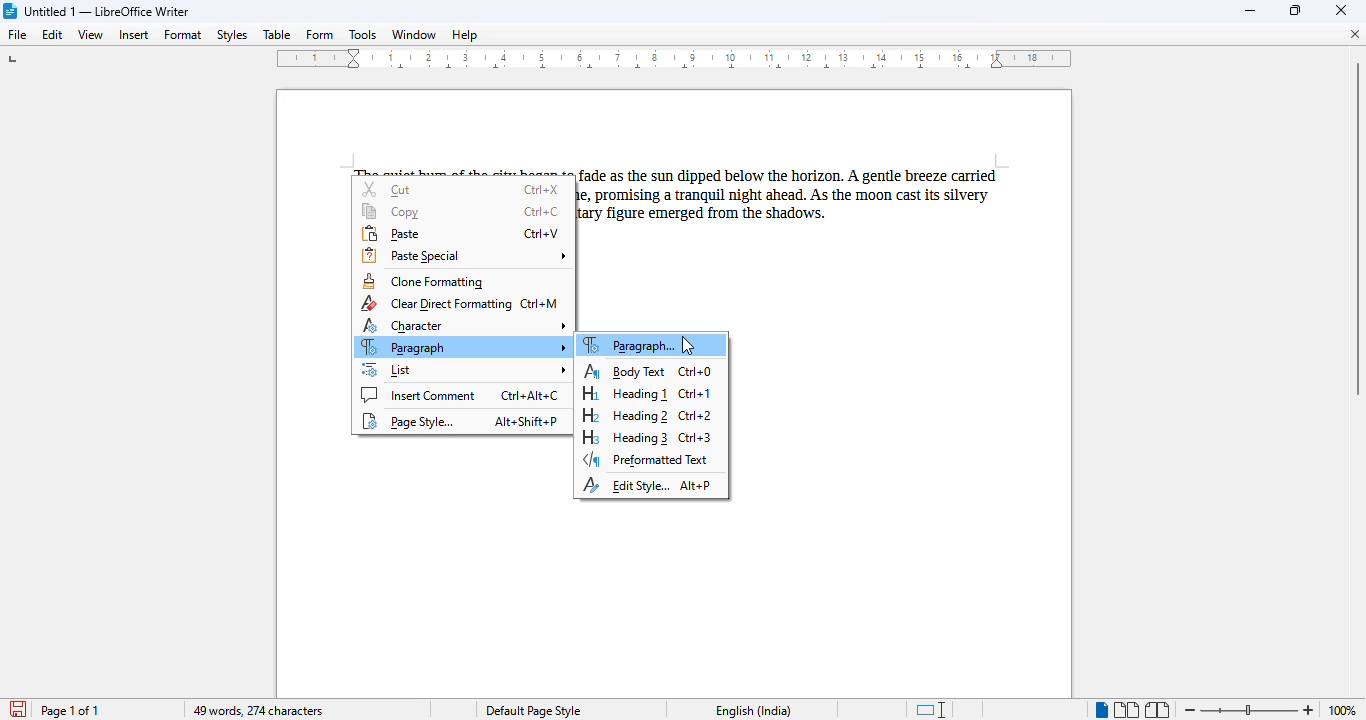 This screenshot has height=720, width=1366. Describe the element at coordinates (1297, 10) in the screenshot. I see `maximize` at that location.